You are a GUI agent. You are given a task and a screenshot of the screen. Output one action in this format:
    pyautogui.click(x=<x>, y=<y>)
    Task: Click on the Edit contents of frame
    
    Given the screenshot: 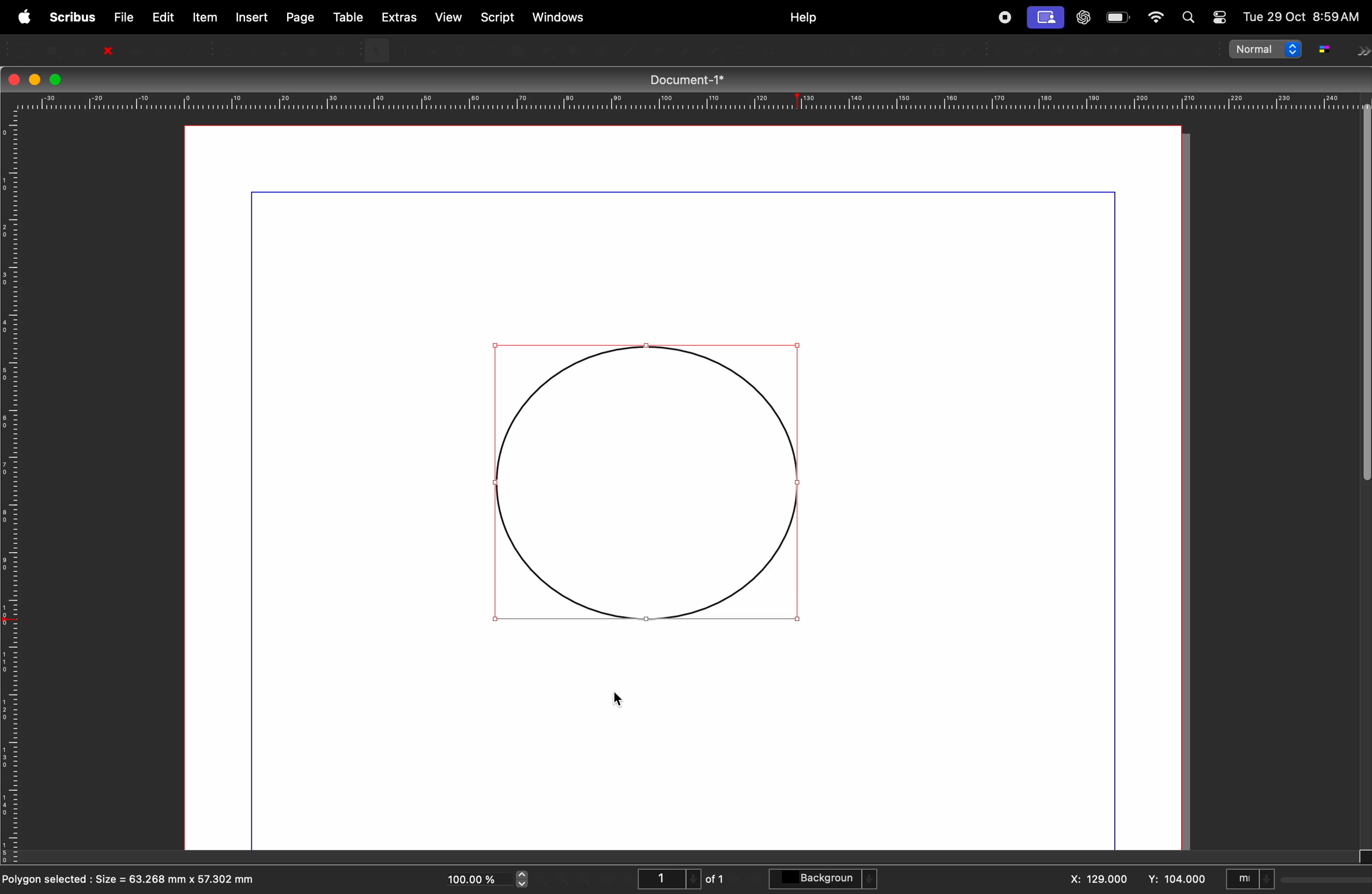 What is the action you would take?
    pyautogui.click(x=797, y=51)
    